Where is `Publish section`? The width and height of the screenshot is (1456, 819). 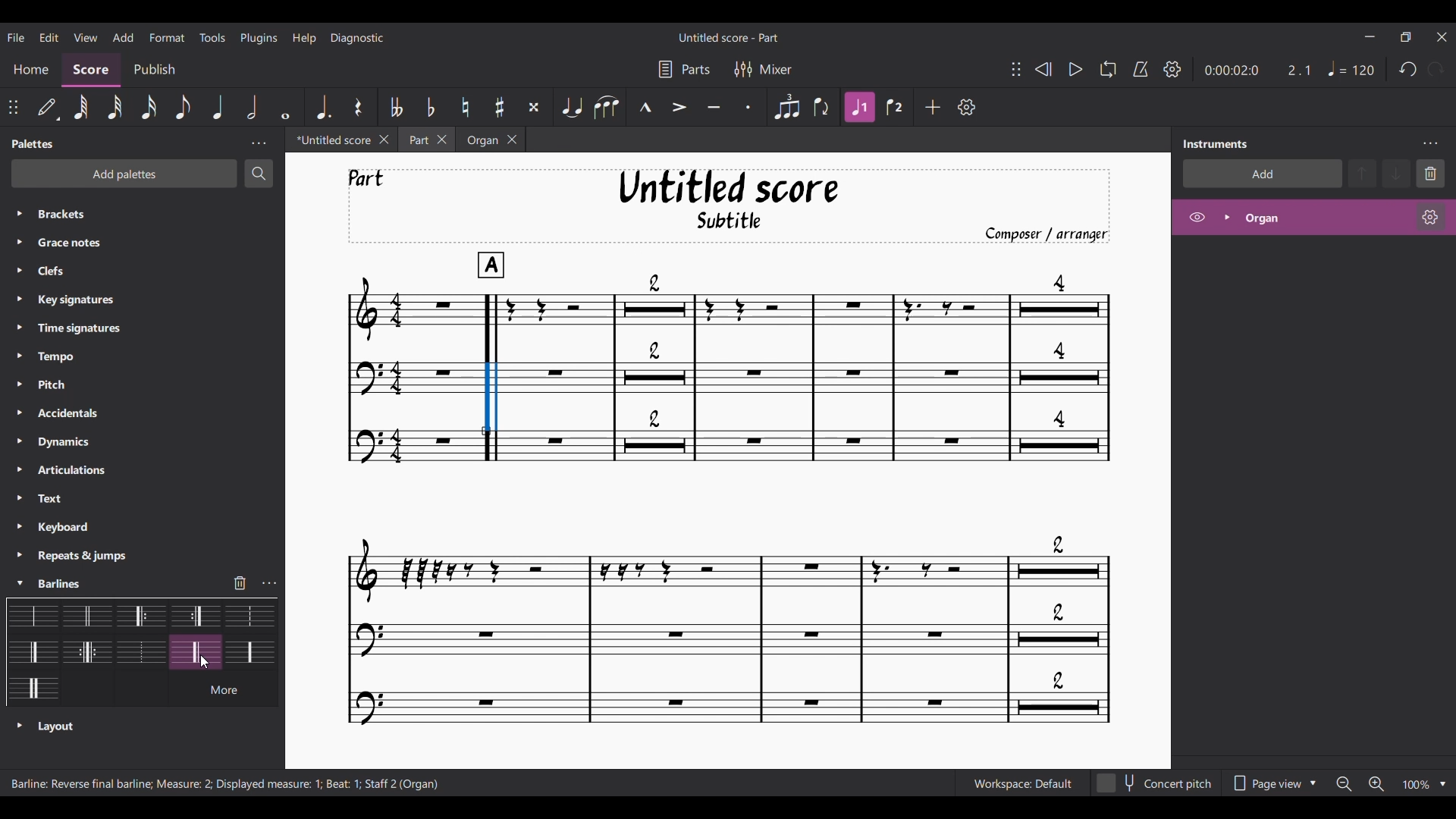
Publish section is located at coordinates (157, 71).